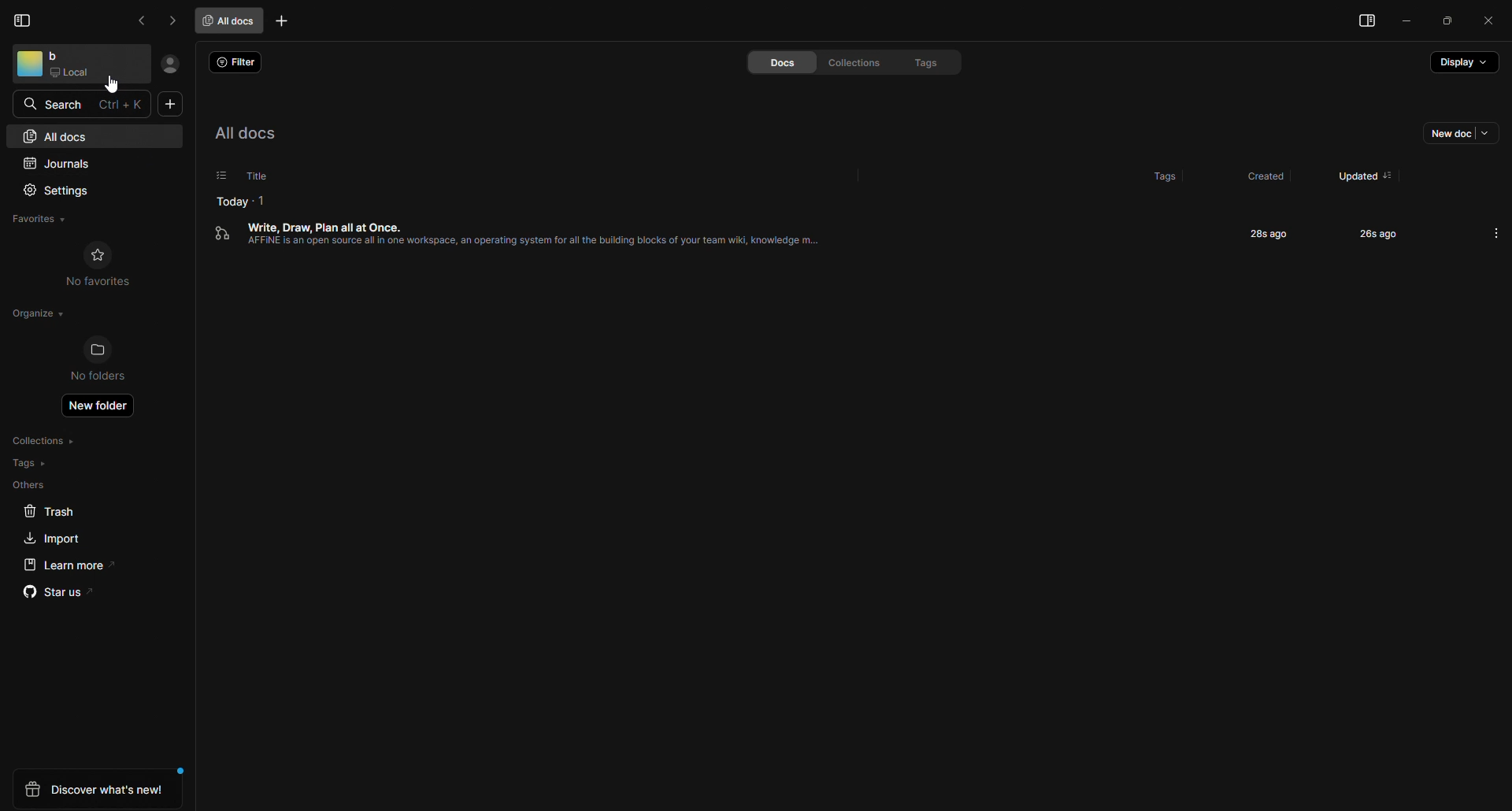  I want to click on go forward, so click(172, 20).